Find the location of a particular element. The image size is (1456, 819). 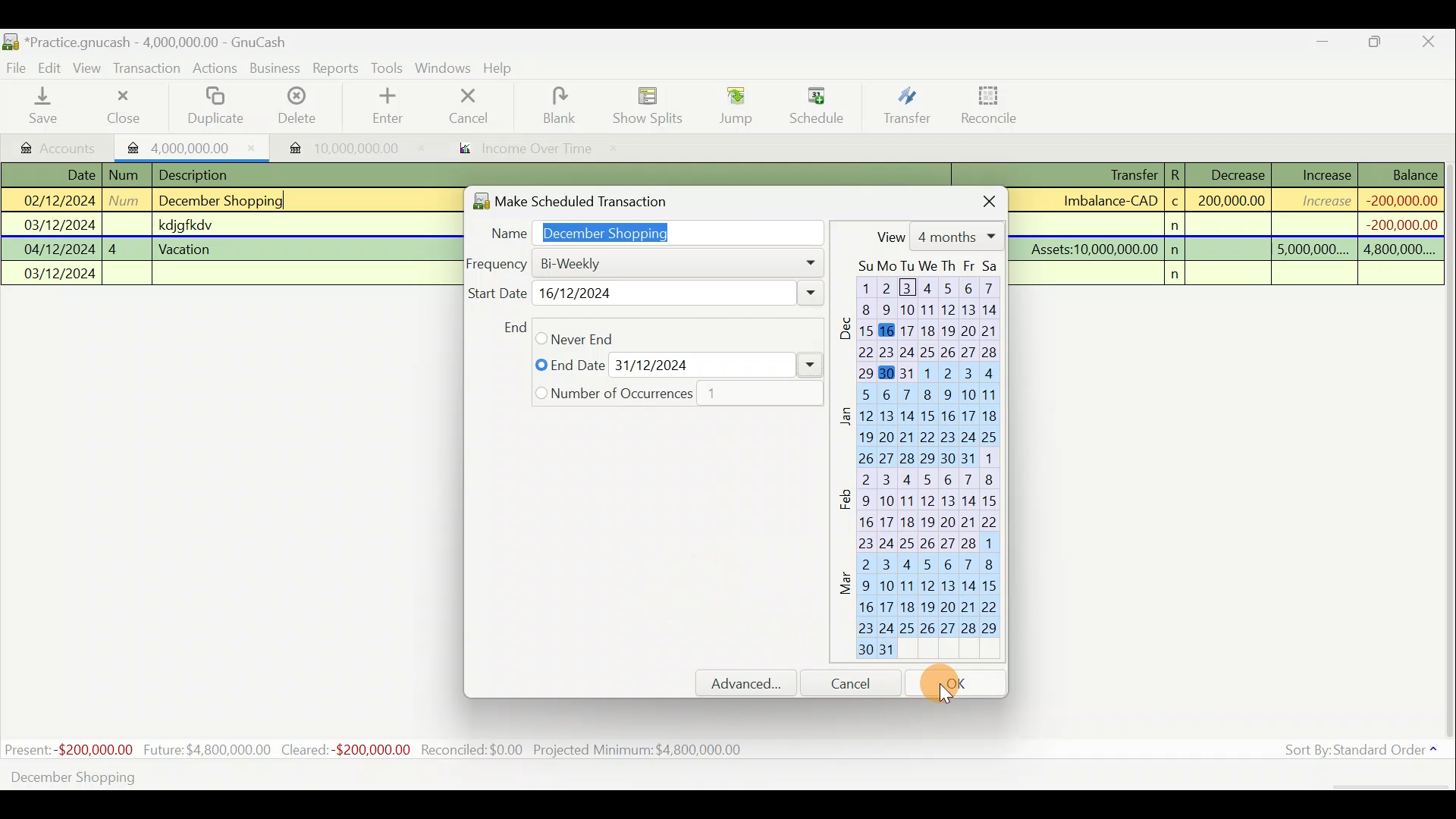

Help is located at coordinates (504, 68).